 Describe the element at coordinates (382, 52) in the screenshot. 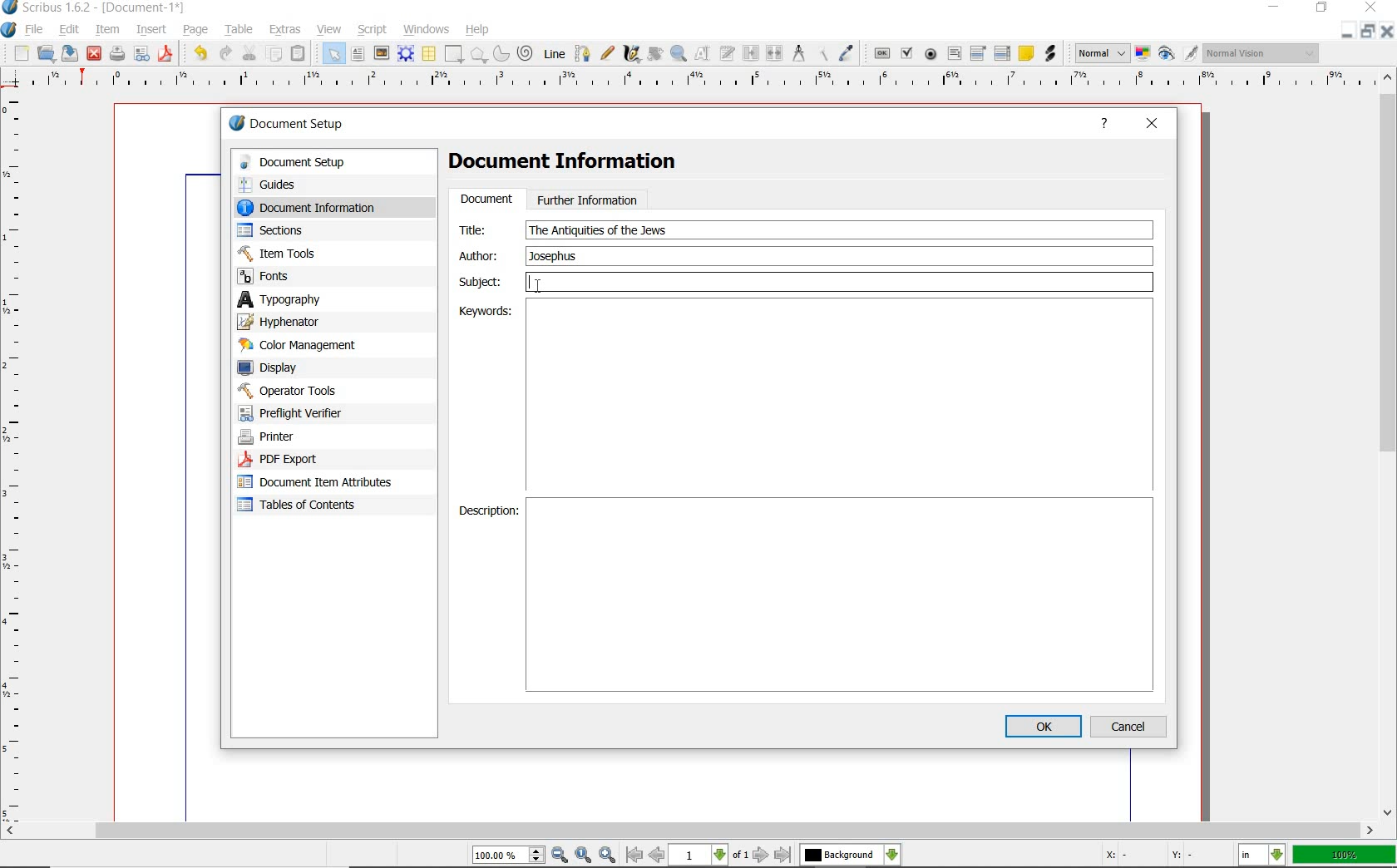

I see `image frame` at that location.